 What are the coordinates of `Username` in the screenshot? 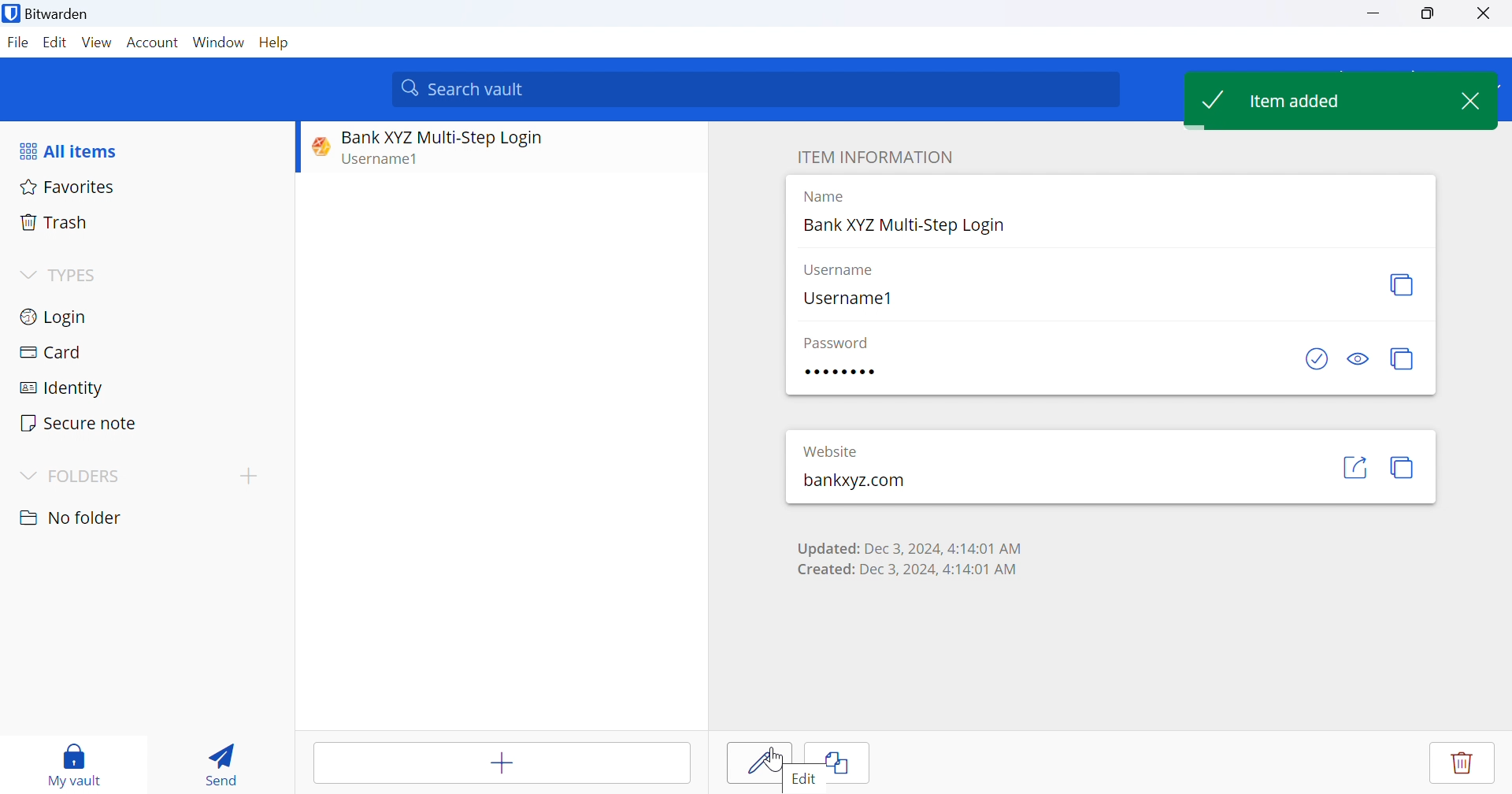 It's located at (845, 269).